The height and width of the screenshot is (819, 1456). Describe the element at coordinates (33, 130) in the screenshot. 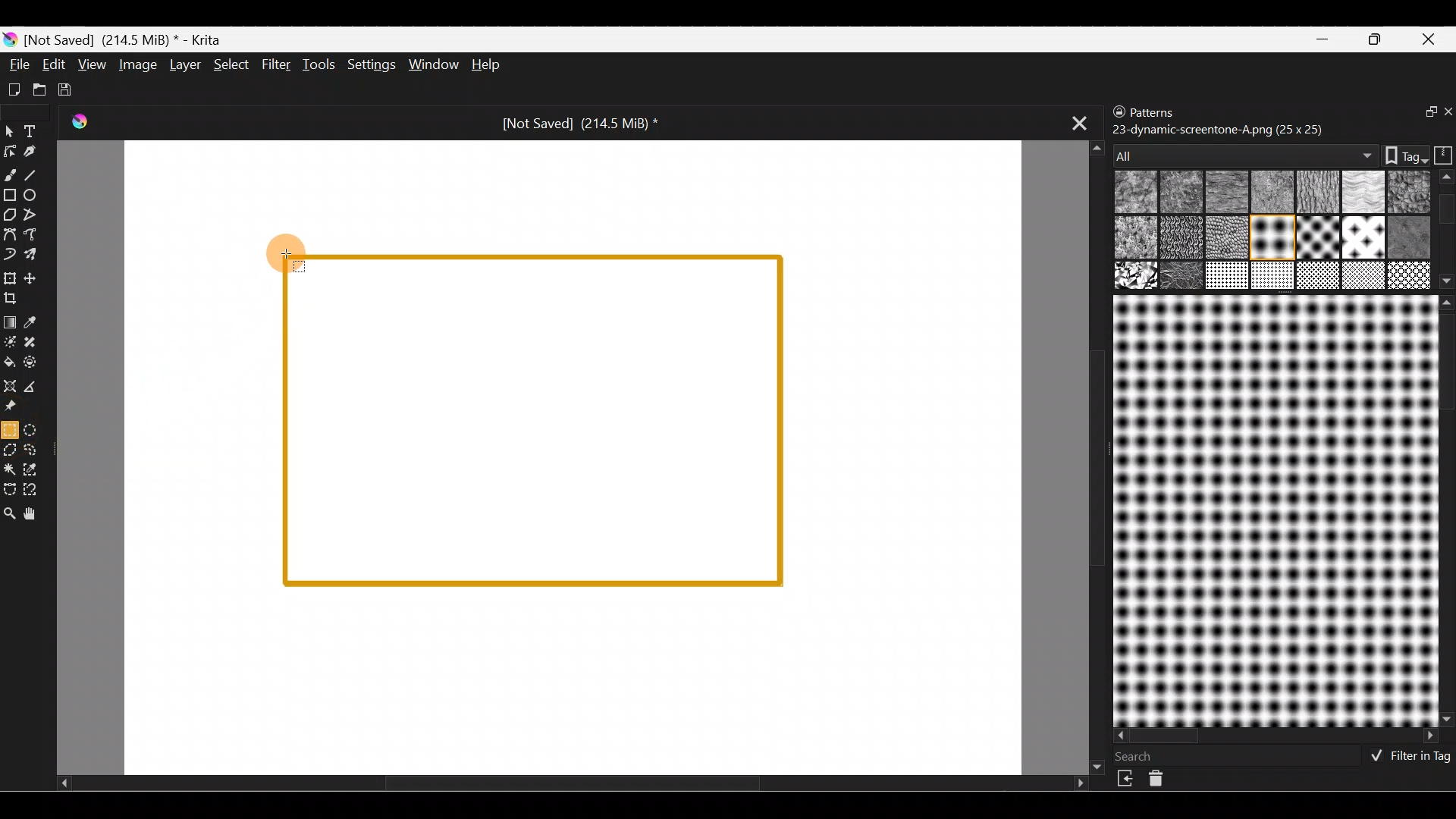

I see `Text tool` at that location.